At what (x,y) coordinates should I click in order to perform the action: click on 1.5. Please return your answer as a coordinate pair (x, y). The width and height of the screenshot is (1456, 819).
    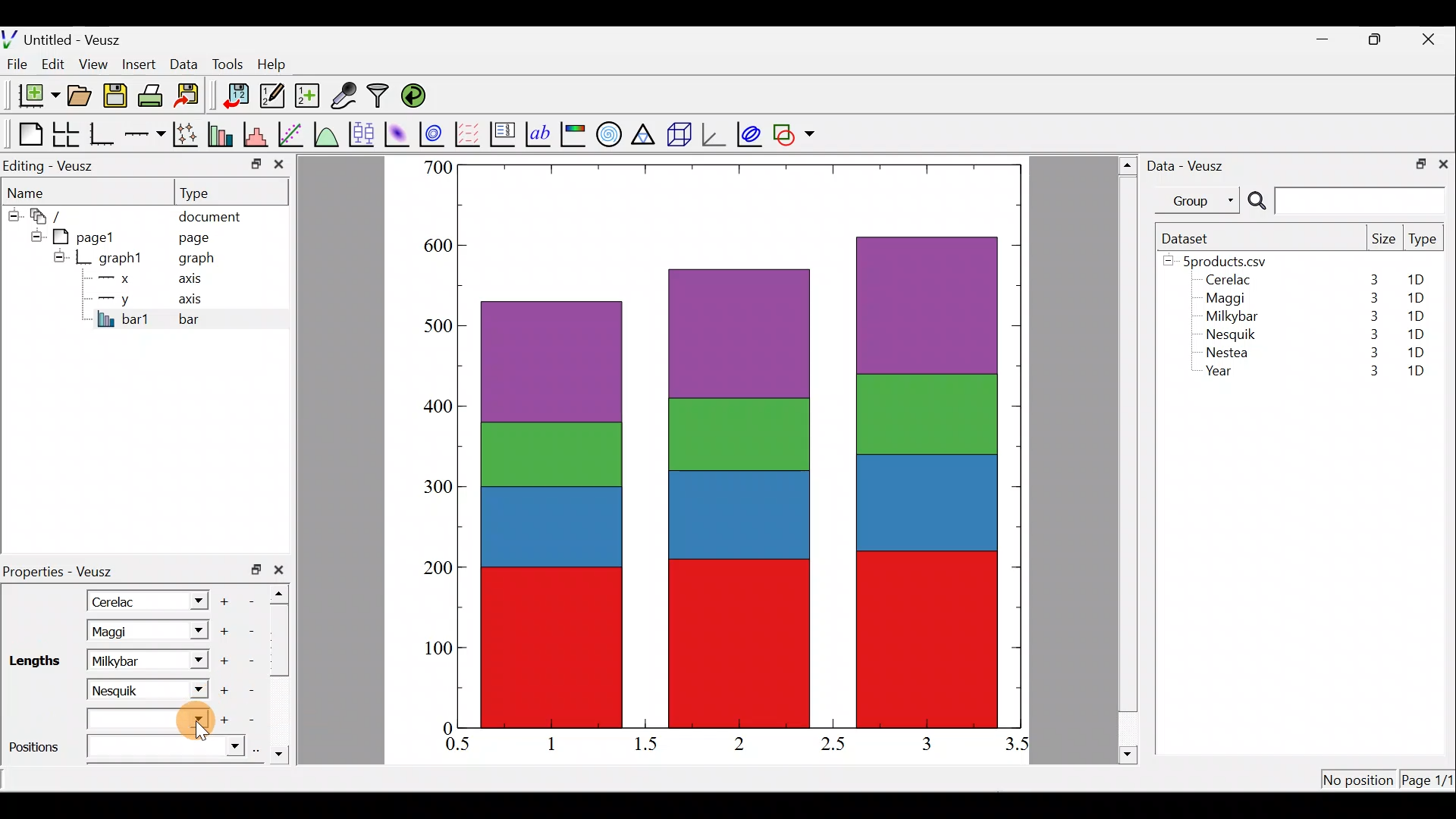
    Looking at the image, I should click on (649, 745).